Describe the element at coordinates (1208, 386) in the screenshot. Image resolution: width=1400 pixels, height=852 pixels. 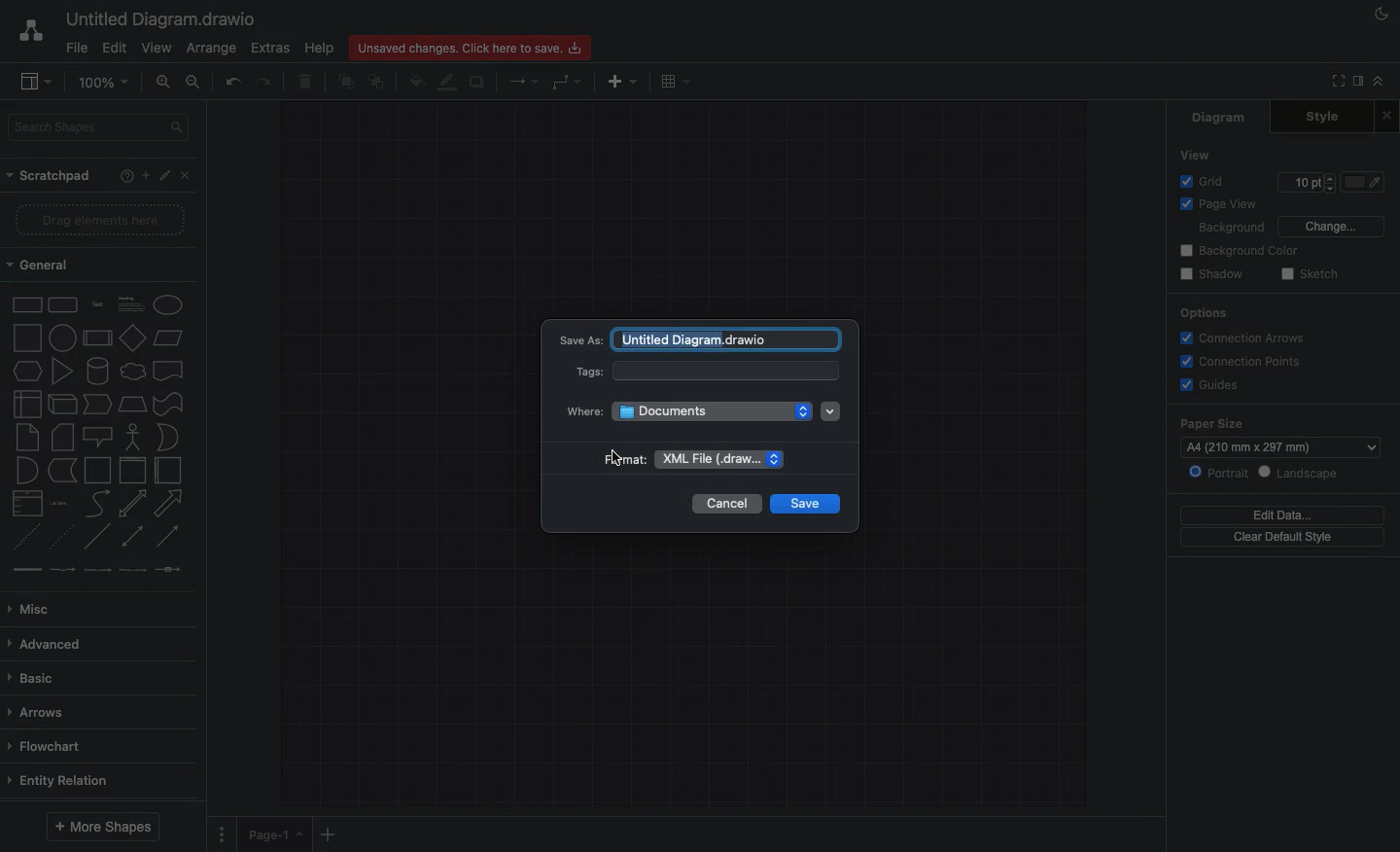
I see `Guides` at that location.